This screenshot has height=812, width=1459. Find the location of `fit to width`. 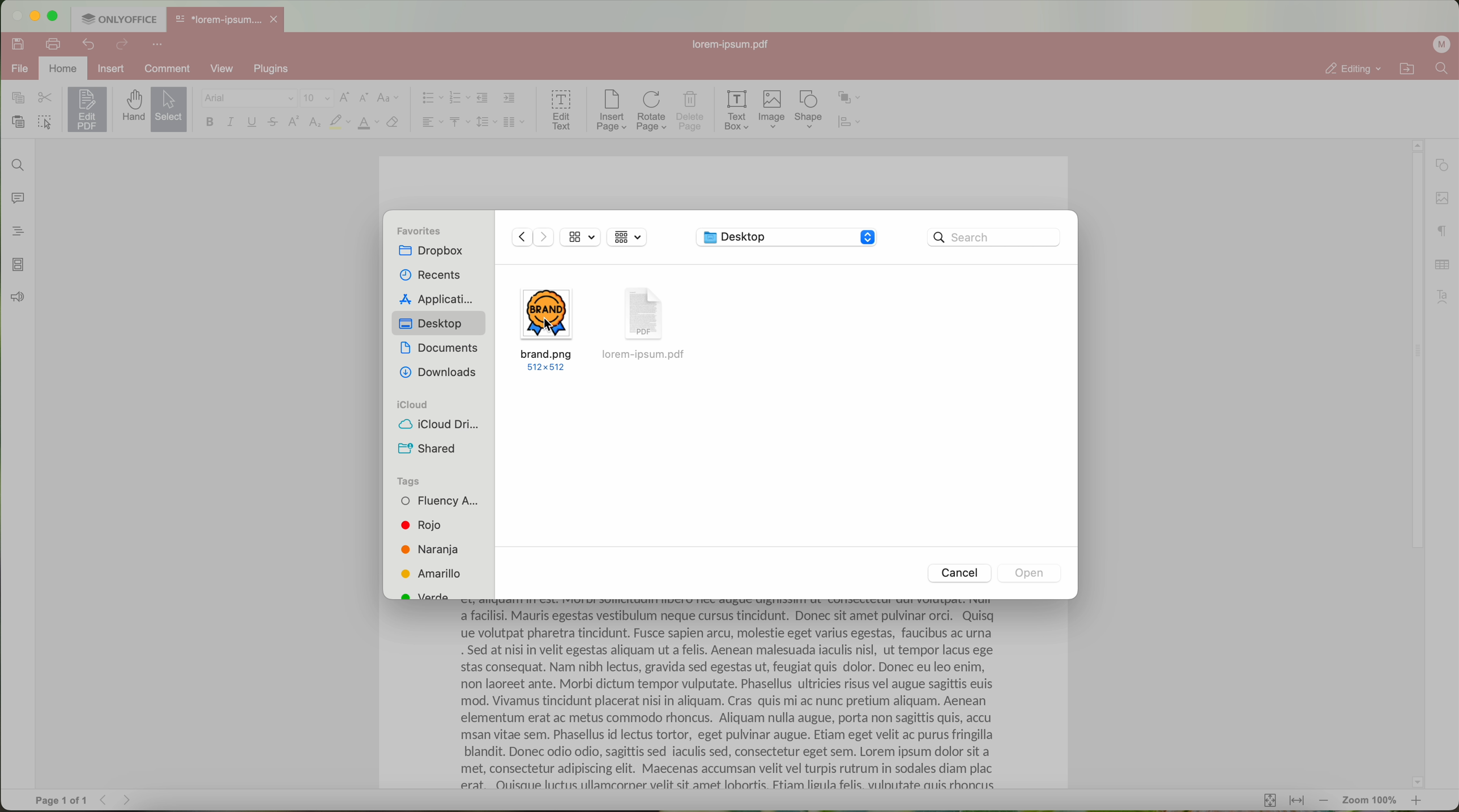

fit to width is located at coordinates (1296, 801).